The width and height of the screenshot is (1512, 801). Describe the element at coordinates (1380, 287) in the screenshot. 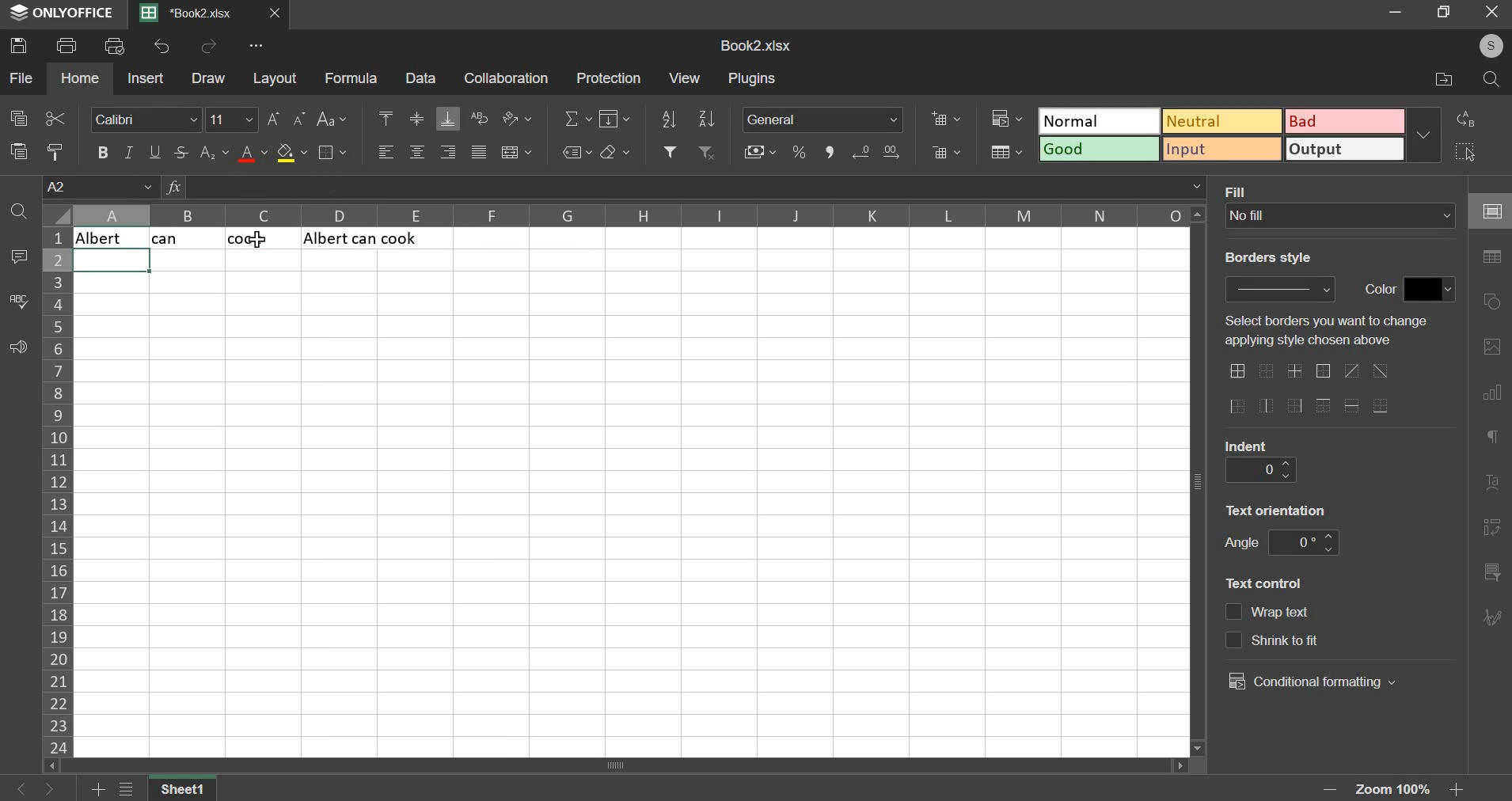

I see `text` at that location.